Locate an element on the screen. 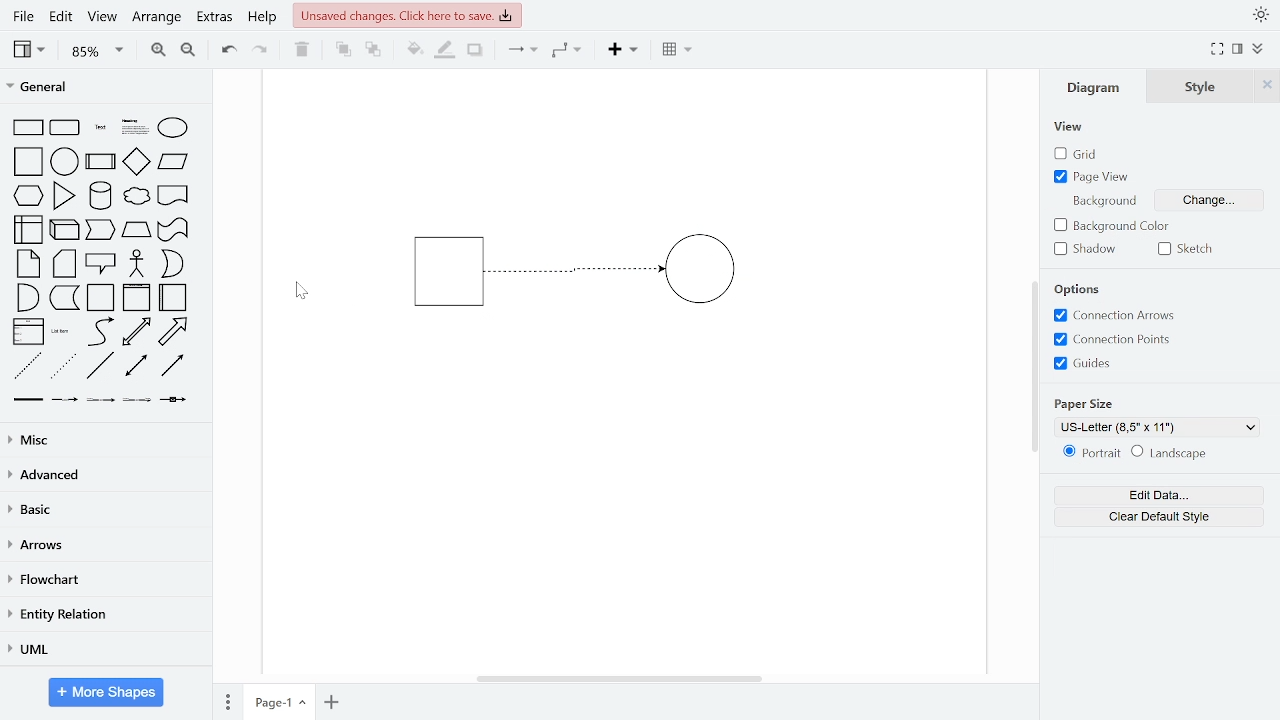 The height and width of the screenshot is (720, 1280). Cursor is located at coordinates (300, 290).